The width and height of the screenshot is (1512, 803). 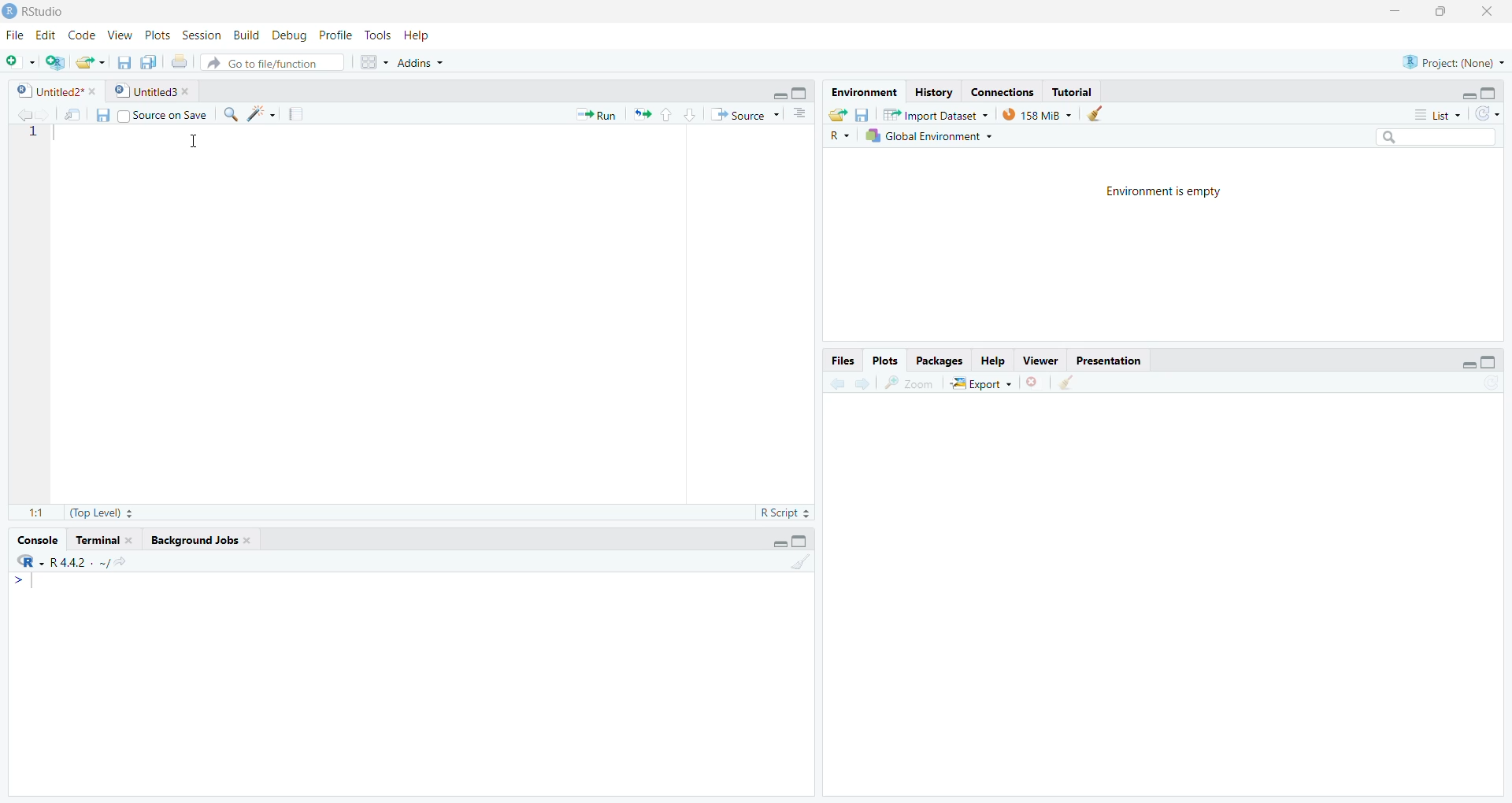 What do you see at coordinates (854, 380) in the screenshot?
I see `forward/backward` at bounding box center [854, 380].